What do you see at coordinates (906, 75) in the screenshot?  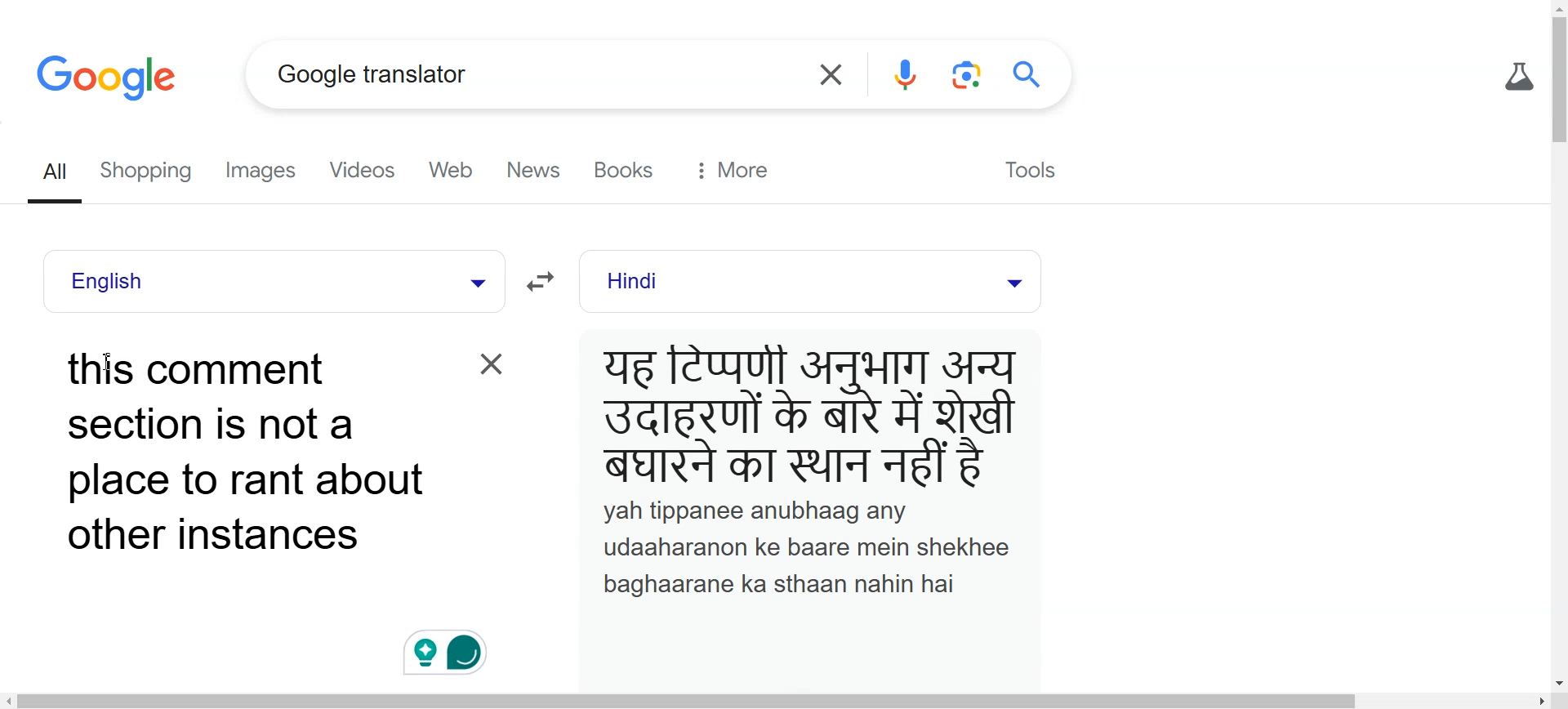 I see `Search by voice` at bounding box center [906, 75].